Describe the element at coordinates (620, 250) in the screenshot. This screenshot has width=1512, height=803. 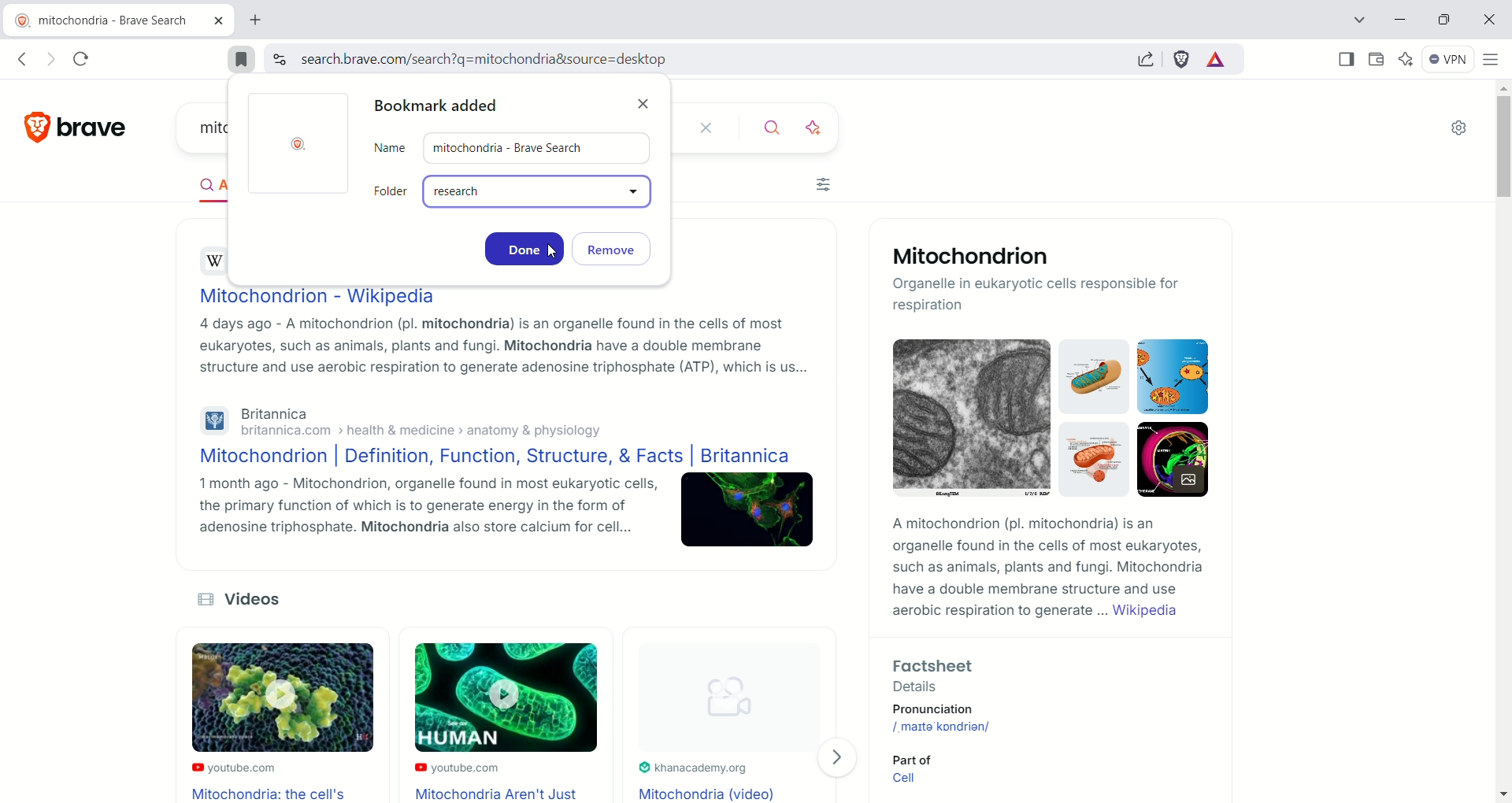
I see `remove` at that location.